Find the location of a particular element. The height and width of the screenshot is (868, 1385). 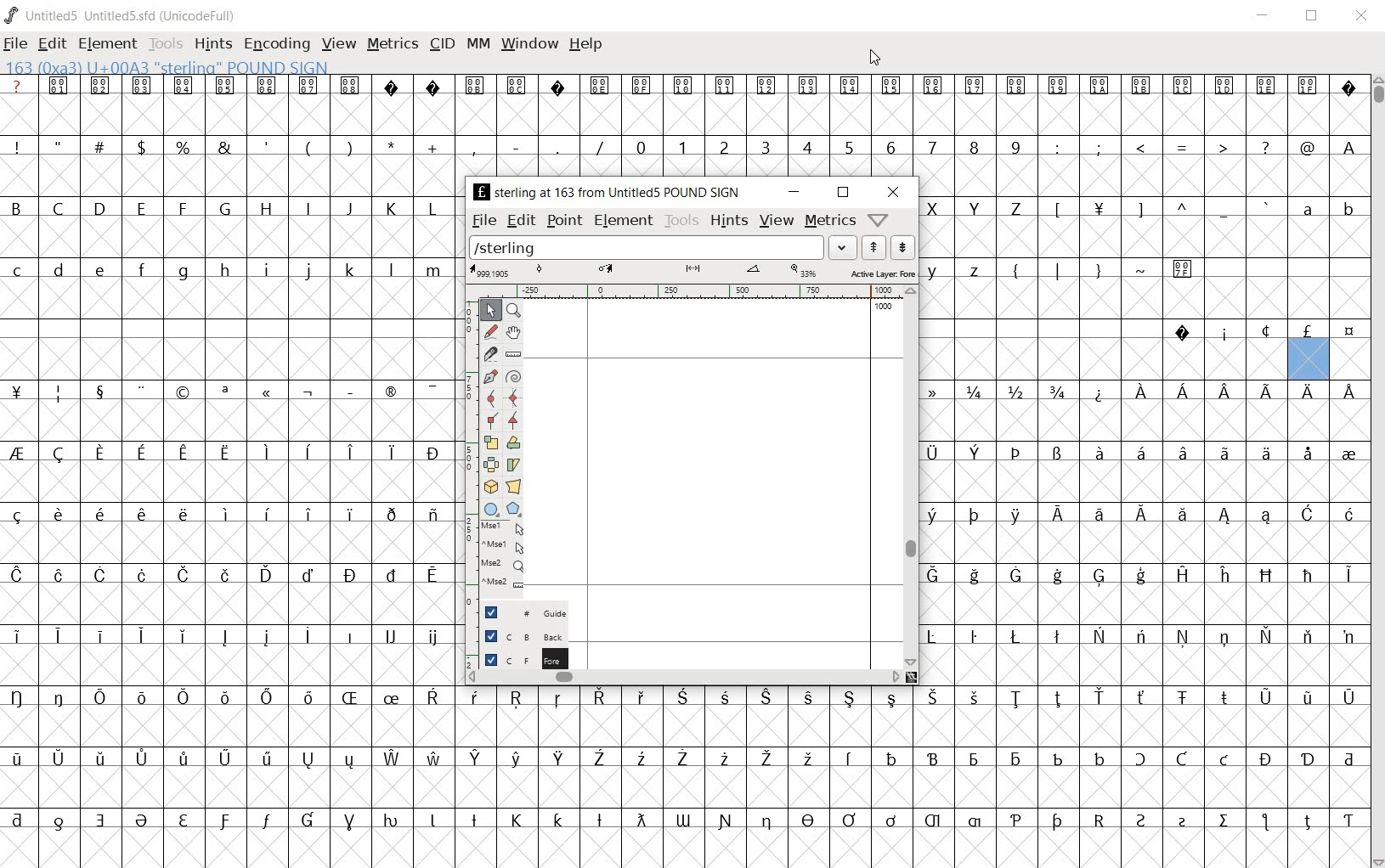

Symbol is located at coordinates (726, 85).